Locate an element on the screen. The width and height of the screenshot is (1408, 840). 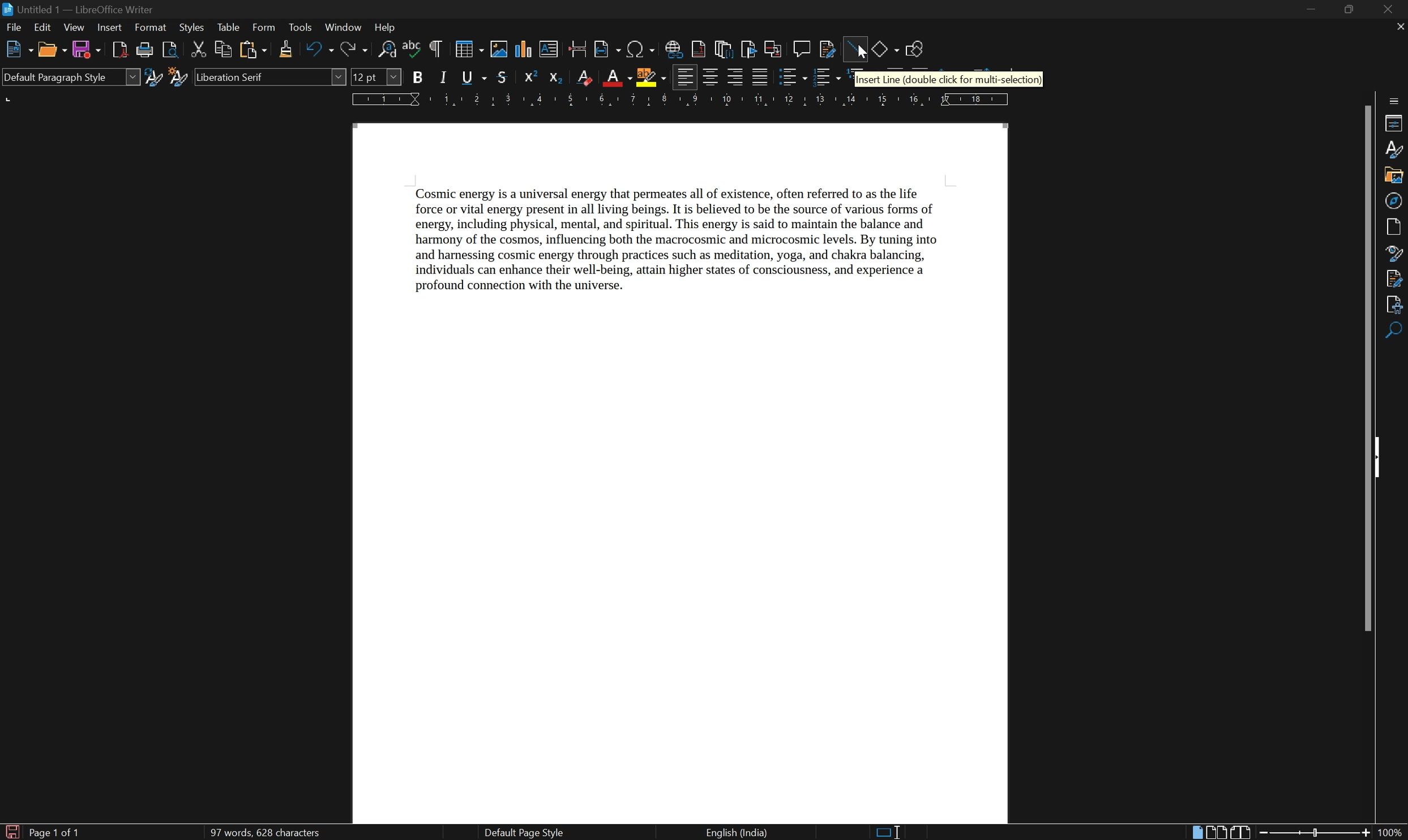
untitled1 - LibreOffice Writer is located at coordinates (78, 9).